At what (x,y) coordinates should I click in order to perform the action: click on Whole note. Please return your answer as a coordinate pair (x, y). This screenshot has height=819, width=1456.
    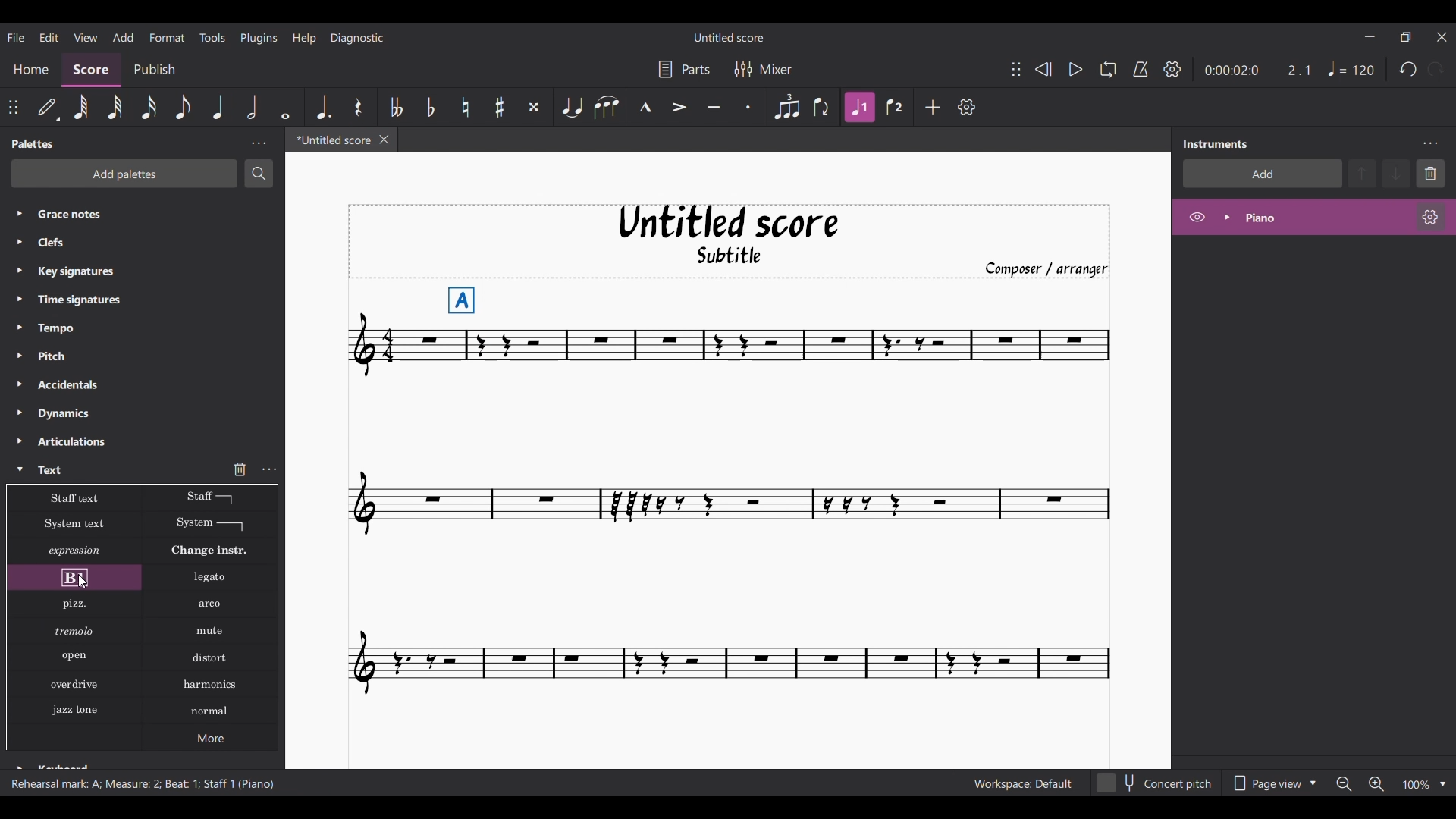
    Looking at the image, I should click on (285, 107).